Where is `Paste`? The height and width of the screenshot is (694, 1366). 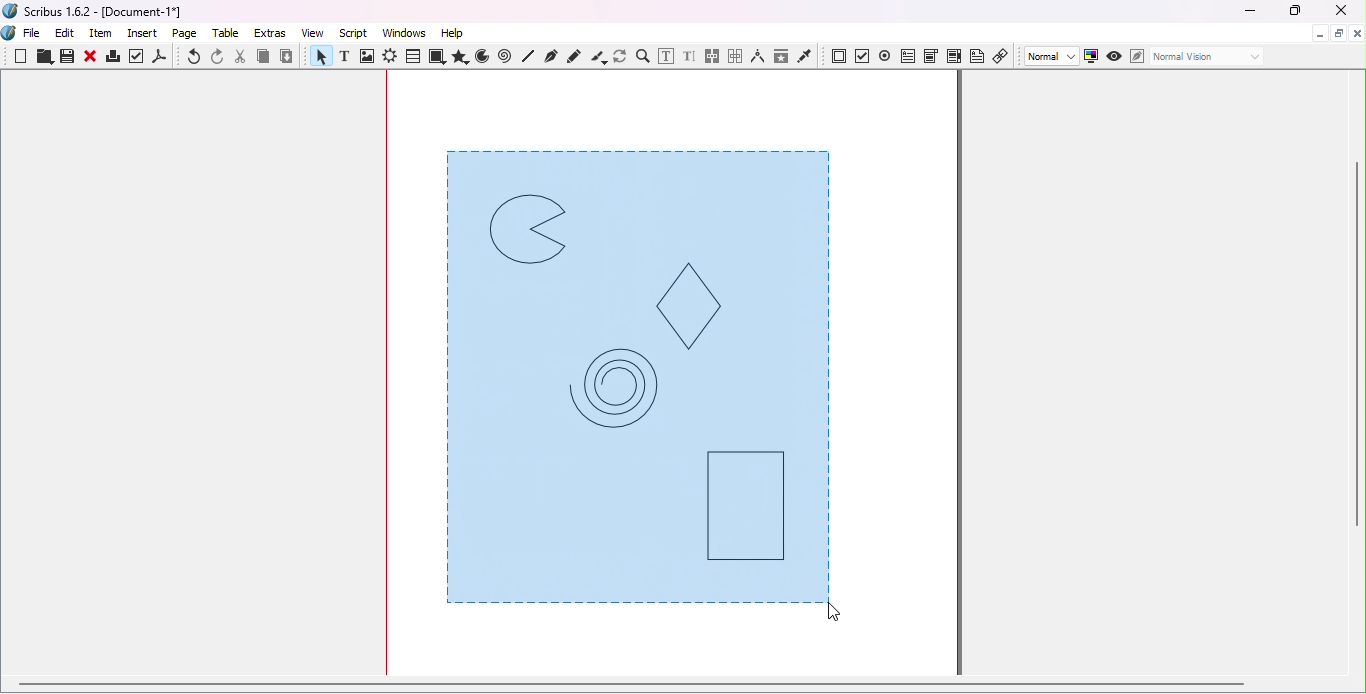
Paste is located at coordinates (287, 57).